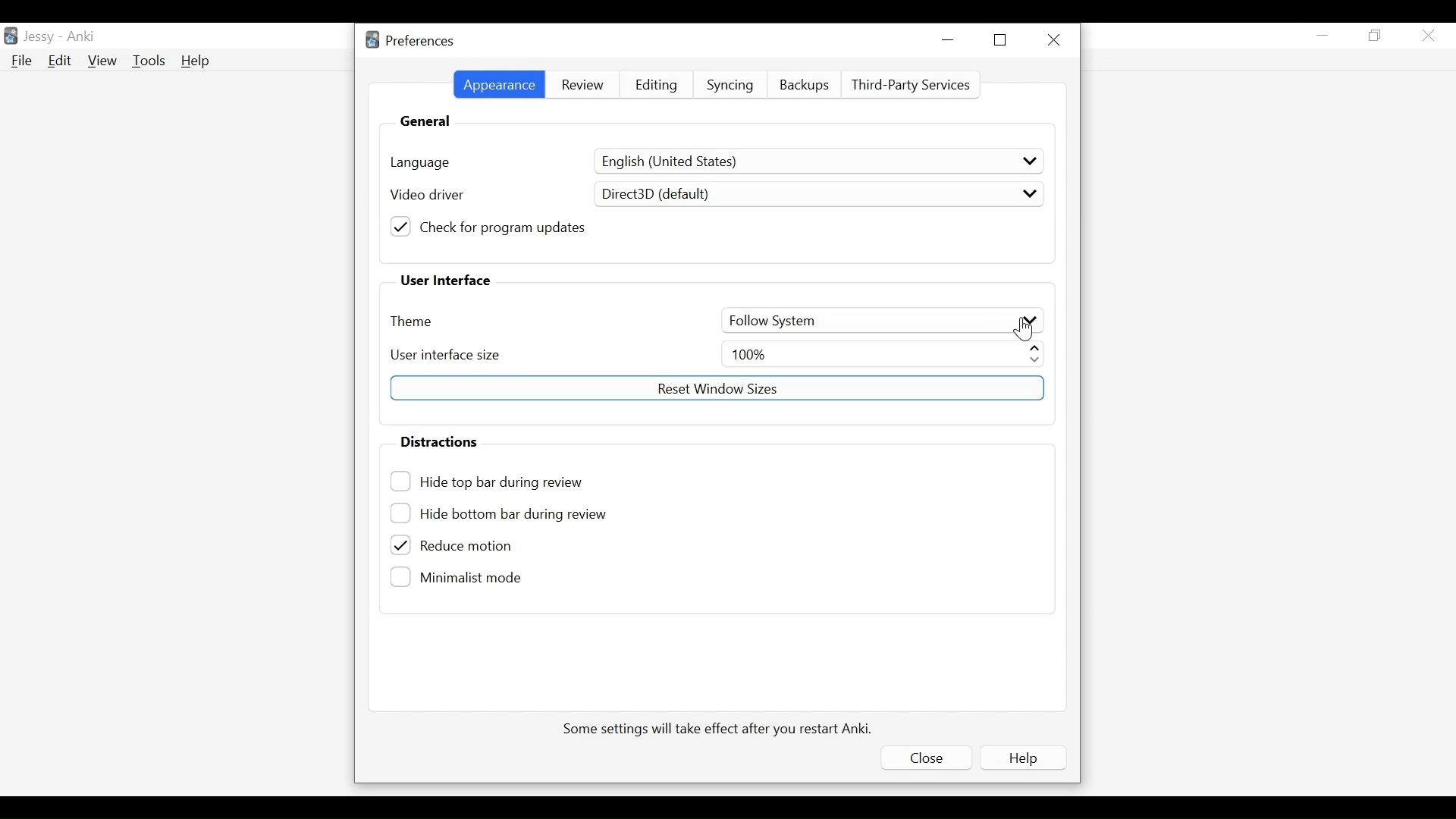 This screenshot has height=819, width=1456. I want to click on Close, so click(1057, 41).